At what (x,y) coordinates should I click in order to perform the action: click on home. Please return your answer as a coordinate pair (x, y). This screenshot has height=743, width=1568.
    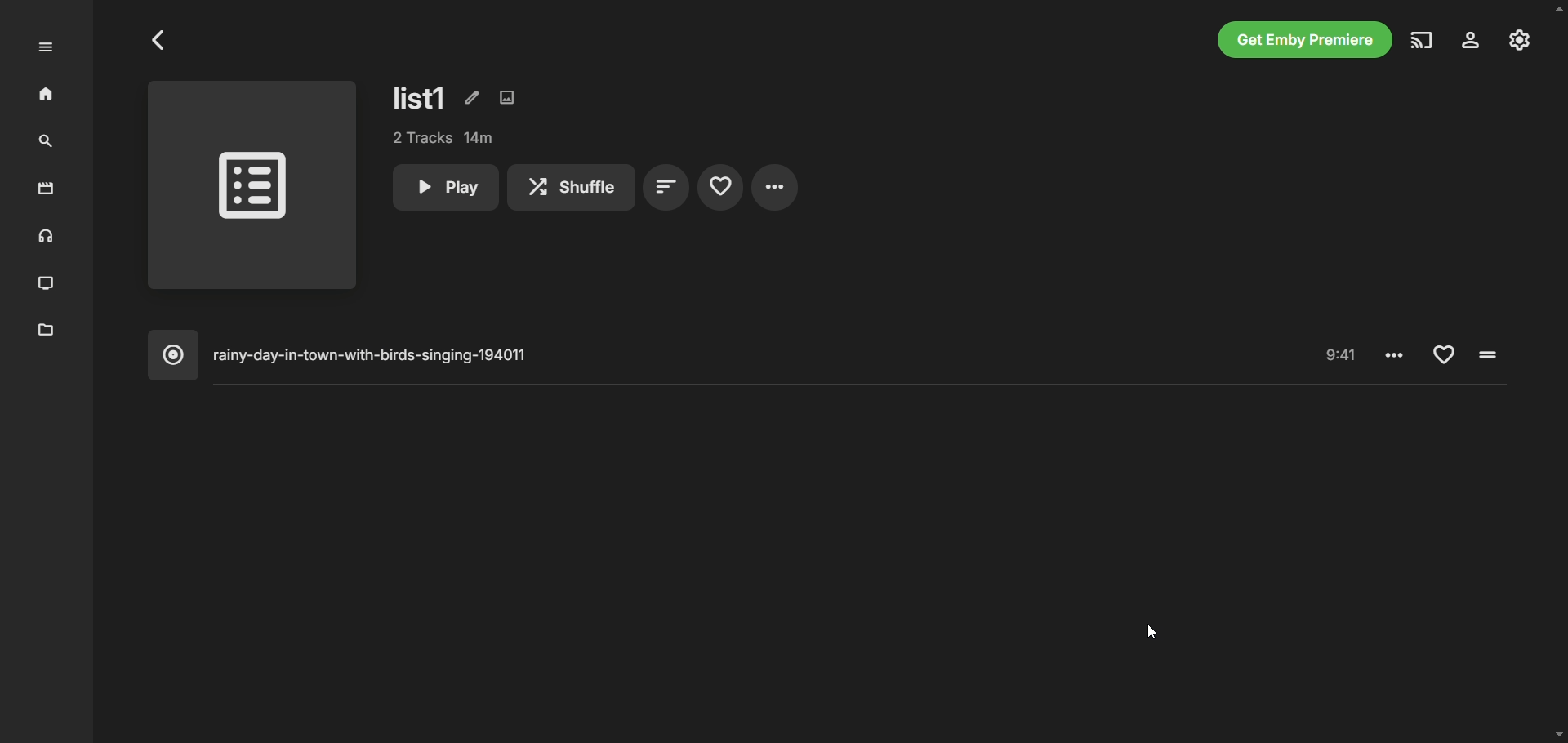
    Looking at the image, I should click on (47, 95).